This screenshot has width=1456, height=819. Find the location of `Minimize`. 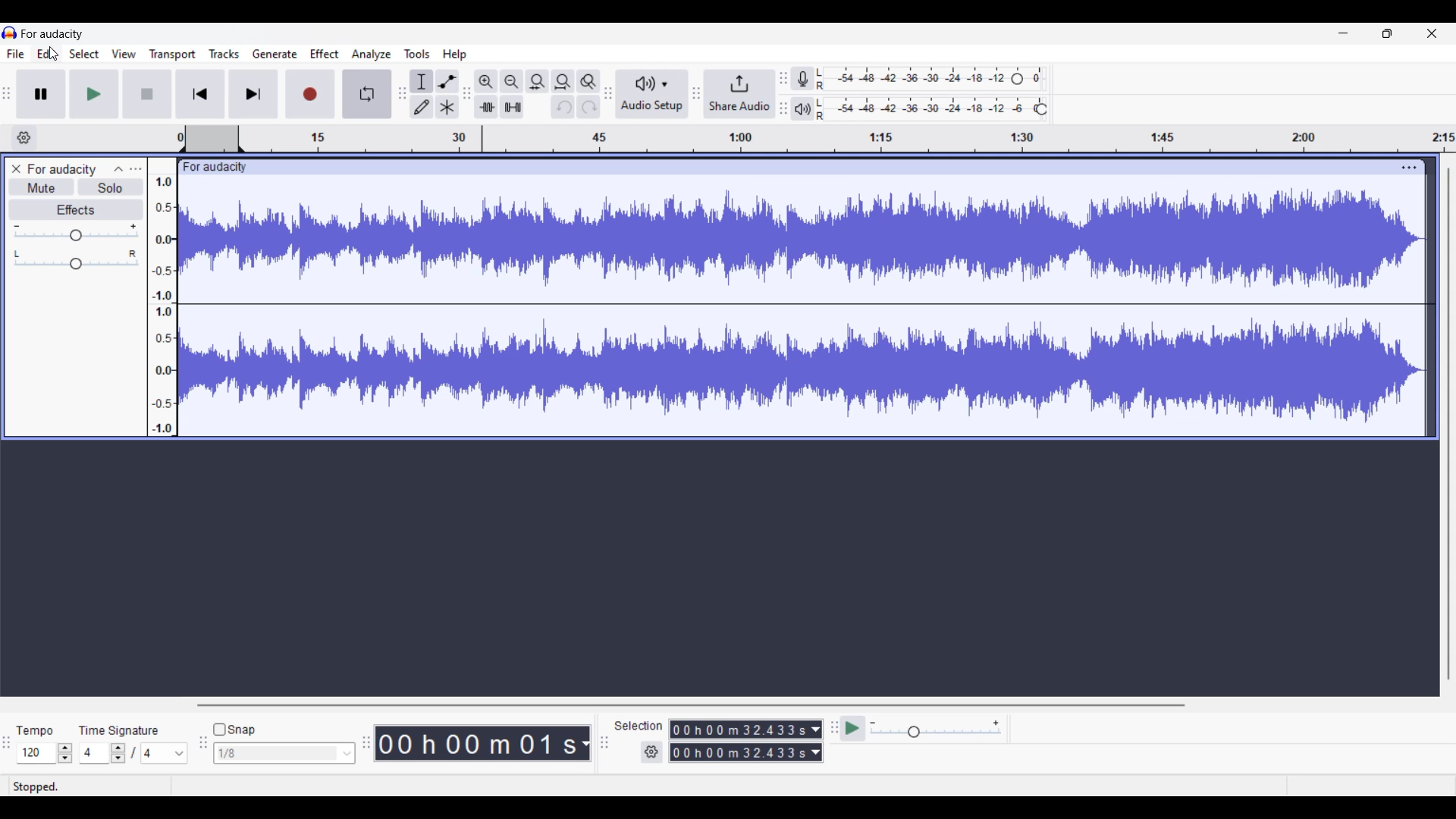

Minimize is located at coordinates (1344, 33).